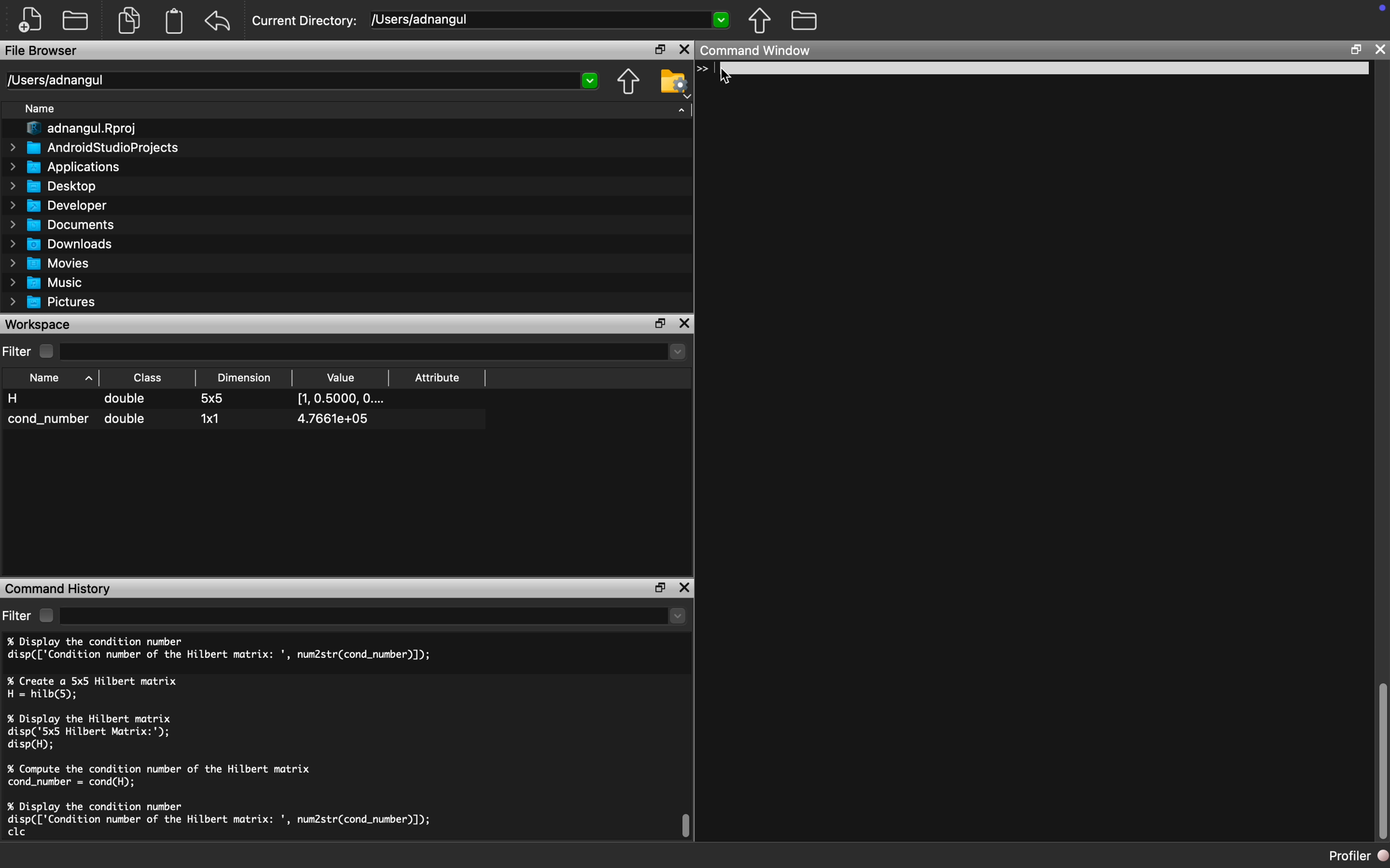 Image resolution: width=1390 pixels, height=868 pixels. Describe the element at coordinates (60, 378) in the screenshot. I see `Name ` at that location.